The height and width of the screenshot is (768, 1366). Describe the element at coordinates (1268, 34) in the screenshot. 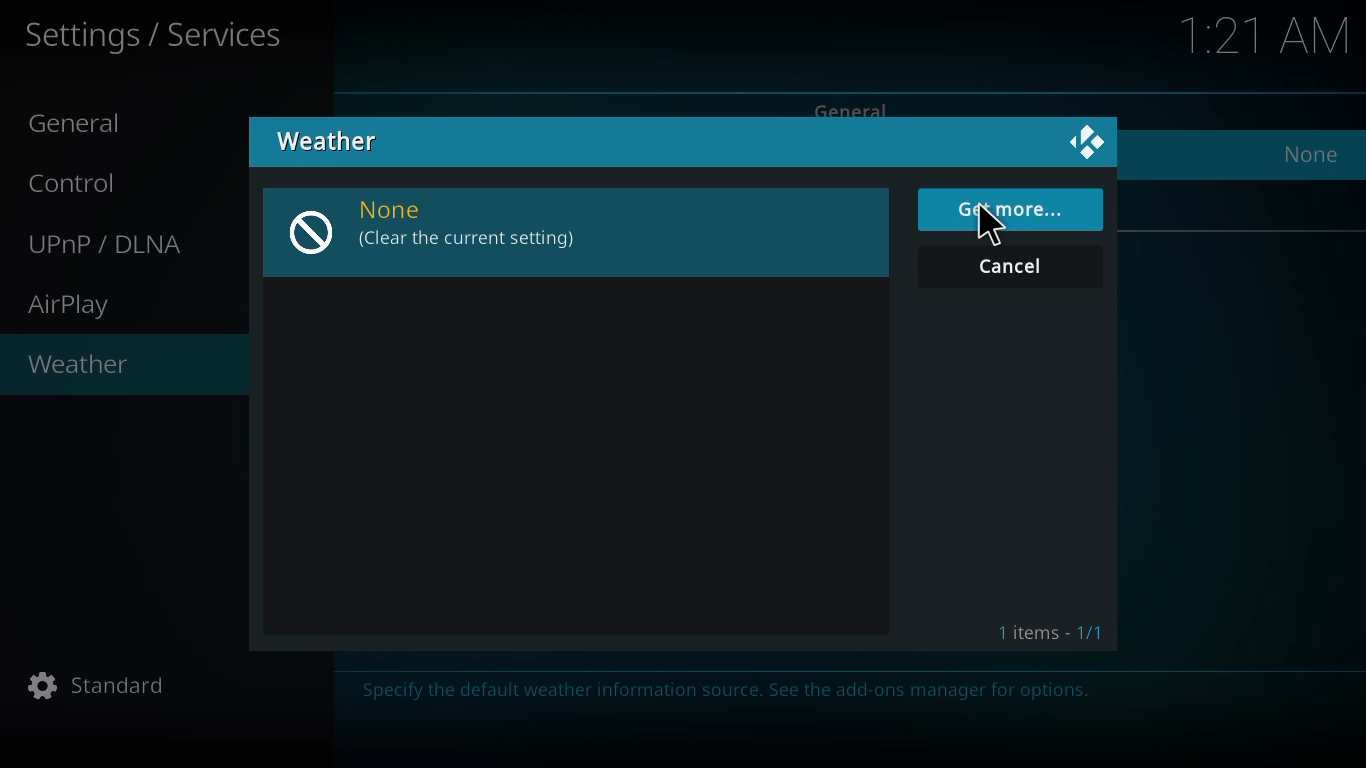

I see `time` at that location.